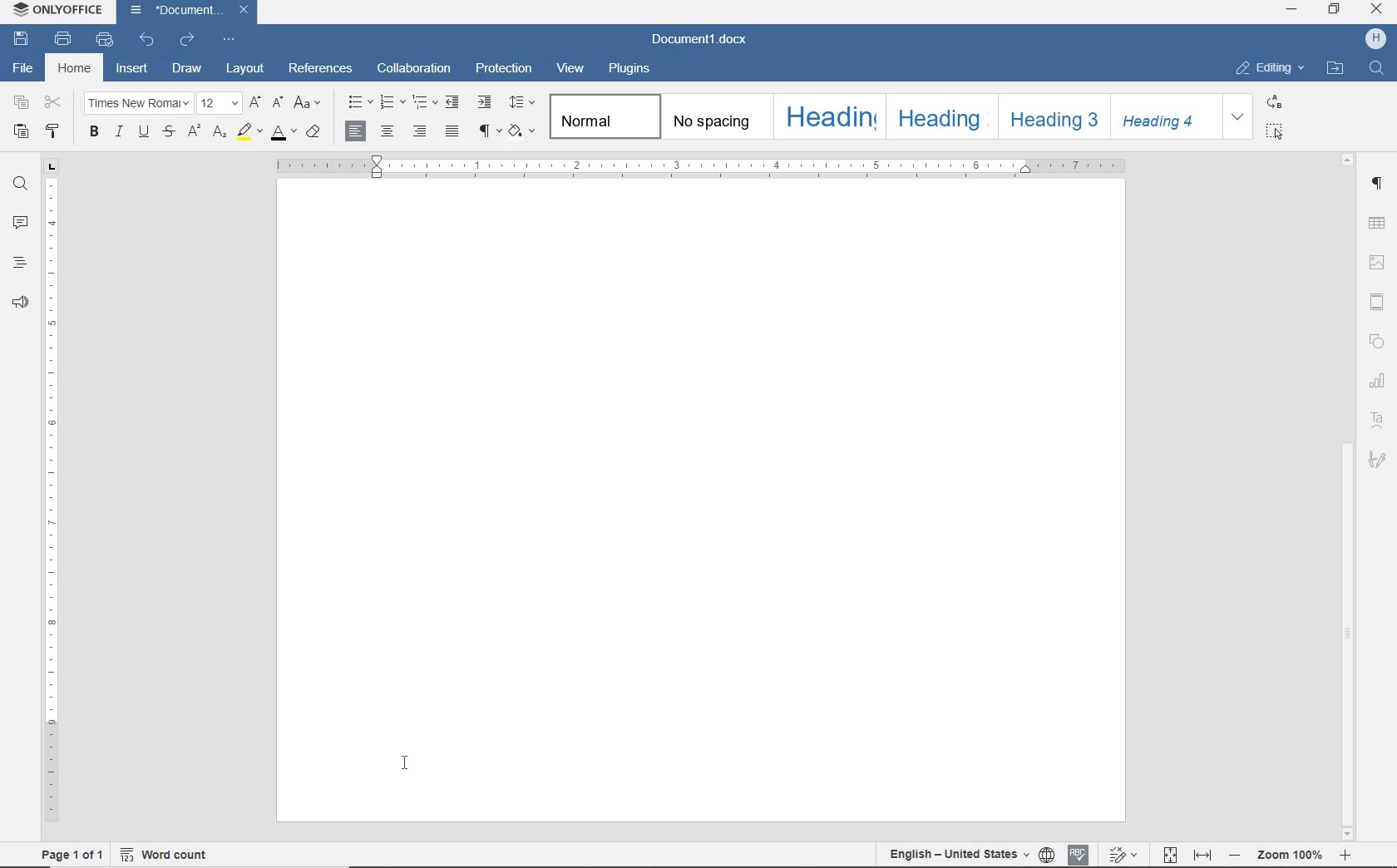 The width and height of the screenshot is (1397, 868). Describe the element at coordinates (248, 133) in the screenshot. I see `HIGHLIGHT COLOR` at that location.